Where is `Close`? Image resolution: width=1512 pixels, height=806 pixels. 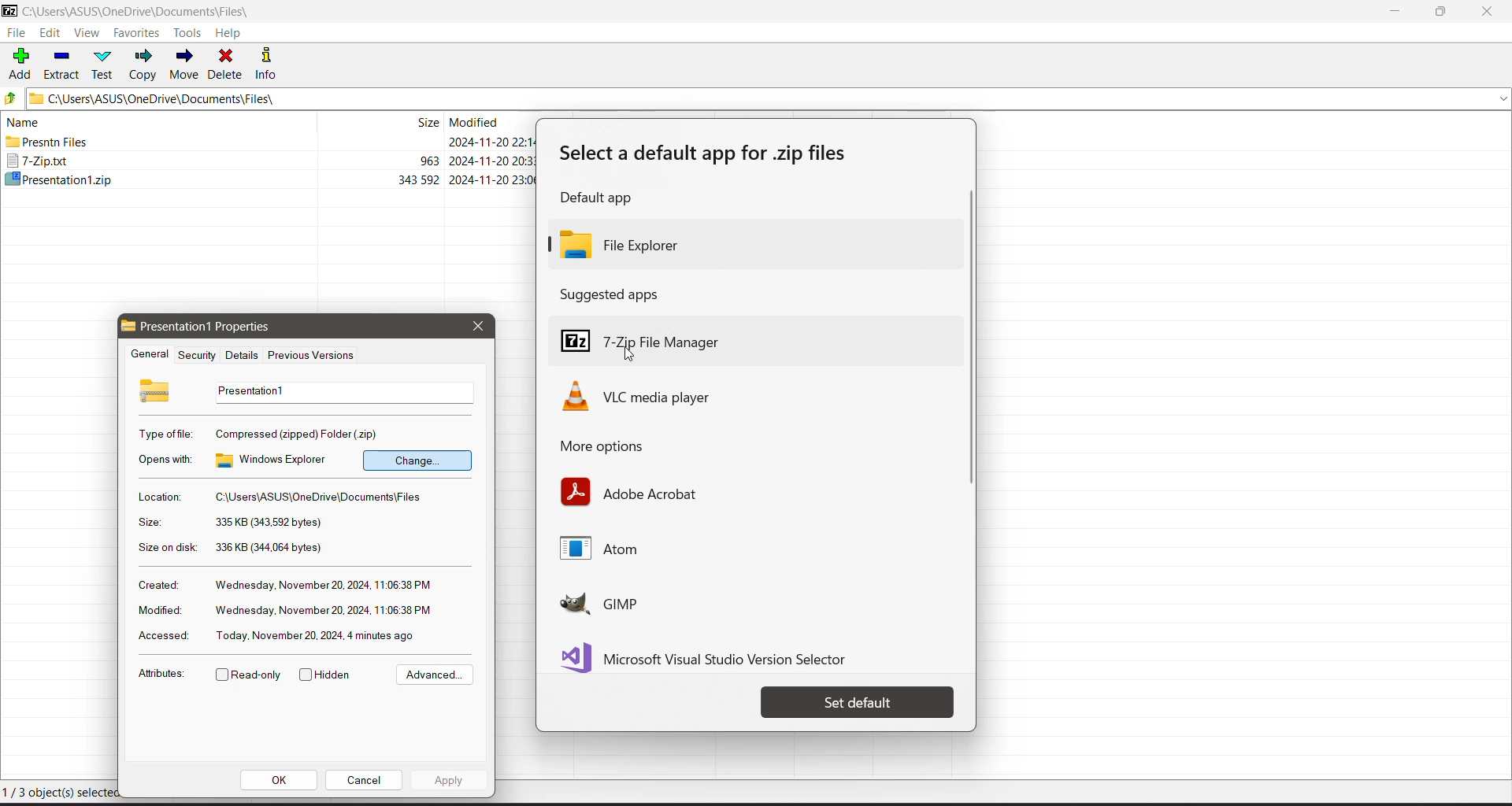 Close is located at coordinates (477, 326).